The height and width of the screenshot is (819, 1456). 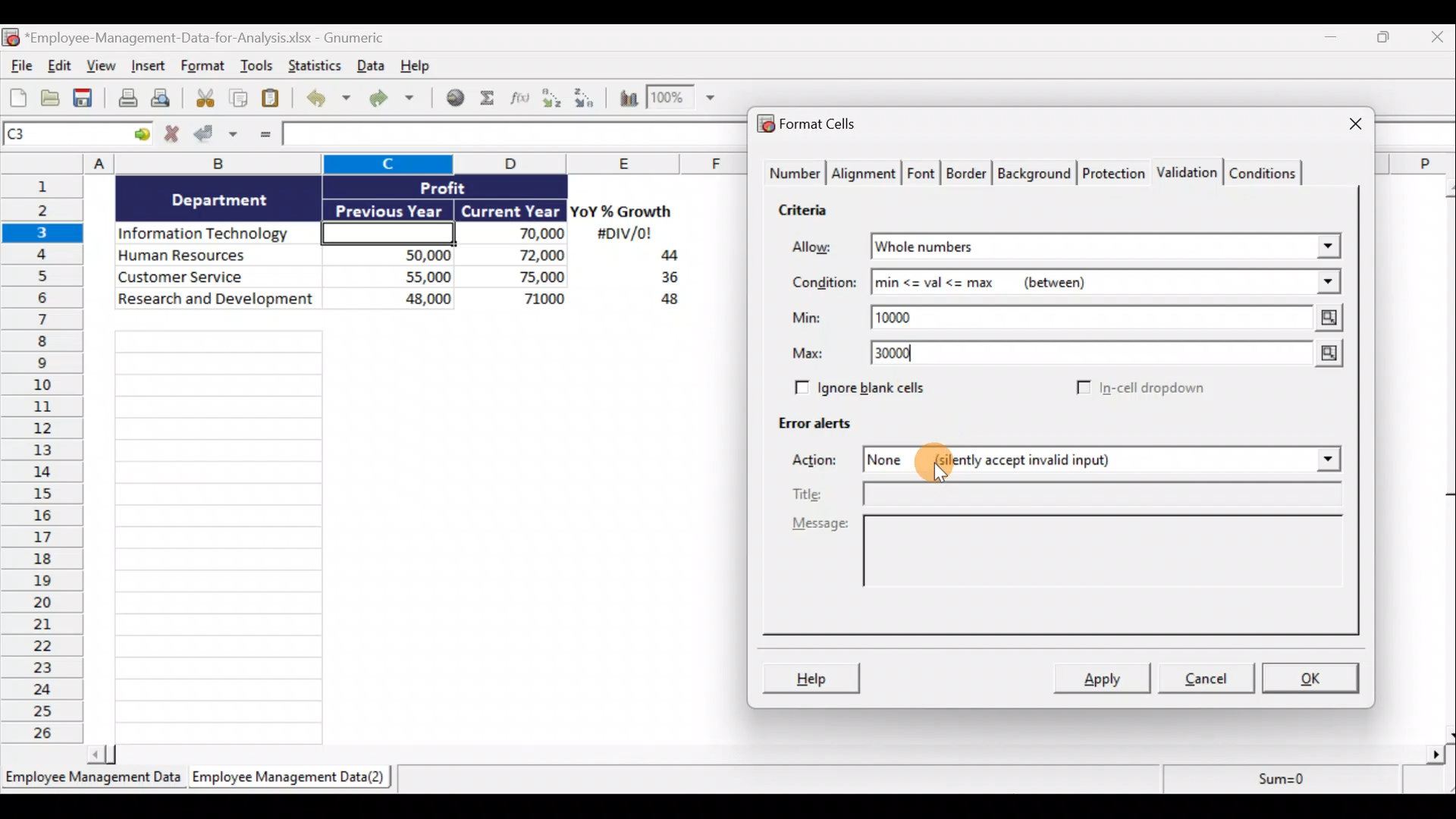 What do you see at coordinates (1113, 171) in the screenshot?
I see `Protection` at bounding box center [1113, 171].